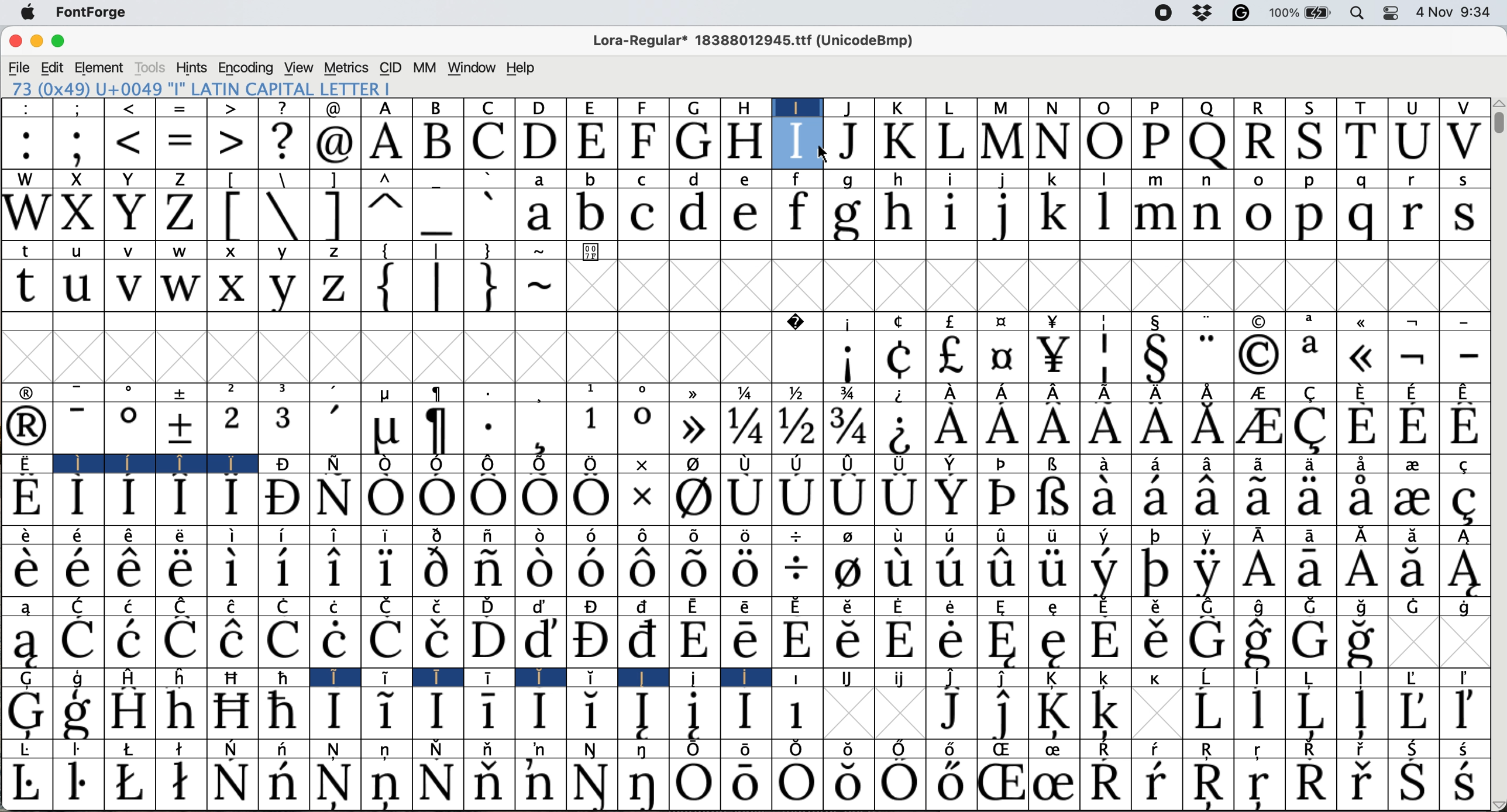 The width and height of the screenshot is (1507, 812). I want to click on ^, so click(384, 215).